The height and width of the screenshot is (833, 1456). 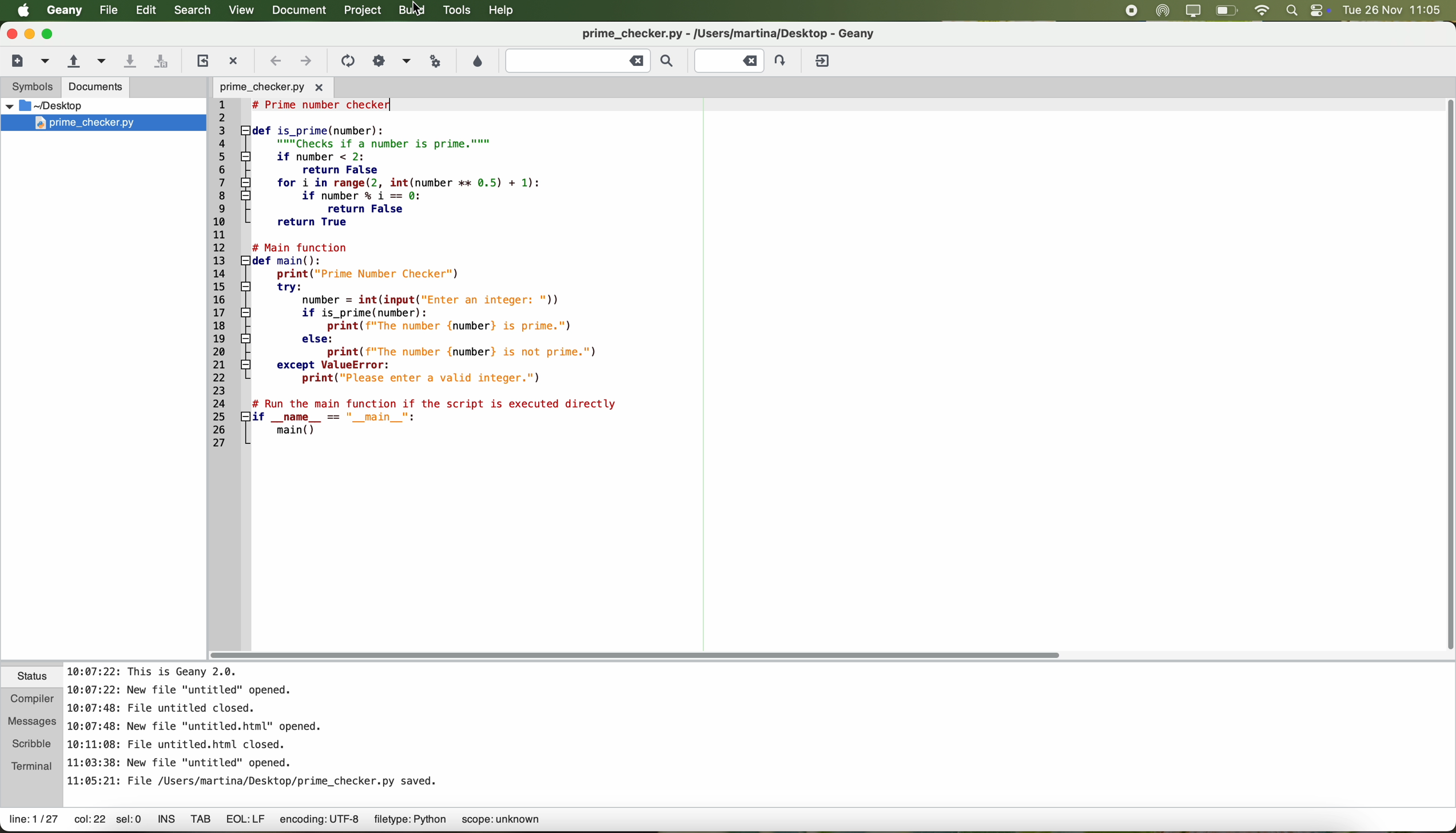 I want to click on date and hour, so click(x=1397, y=10).